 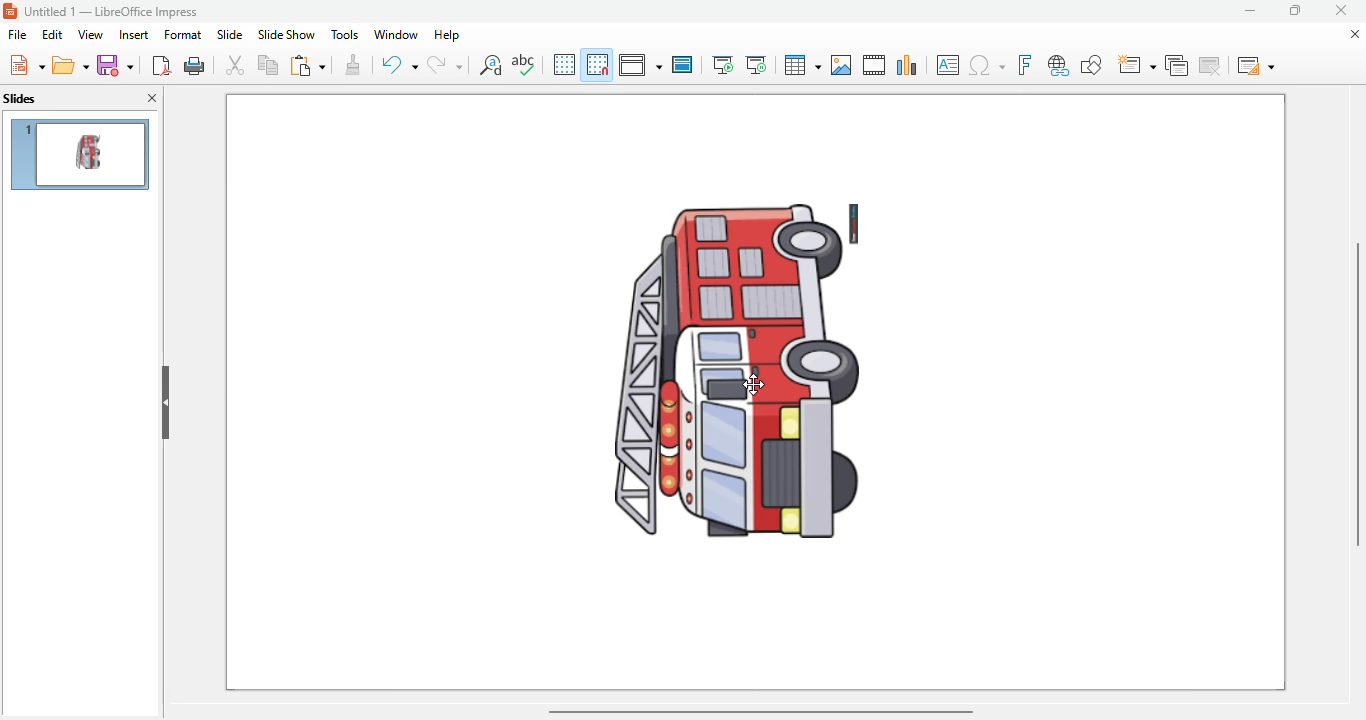 What do you see at coordinates (1026, 64) in the screenshot?
I see `insert fontwork text` at bounding box center [1026, 64].